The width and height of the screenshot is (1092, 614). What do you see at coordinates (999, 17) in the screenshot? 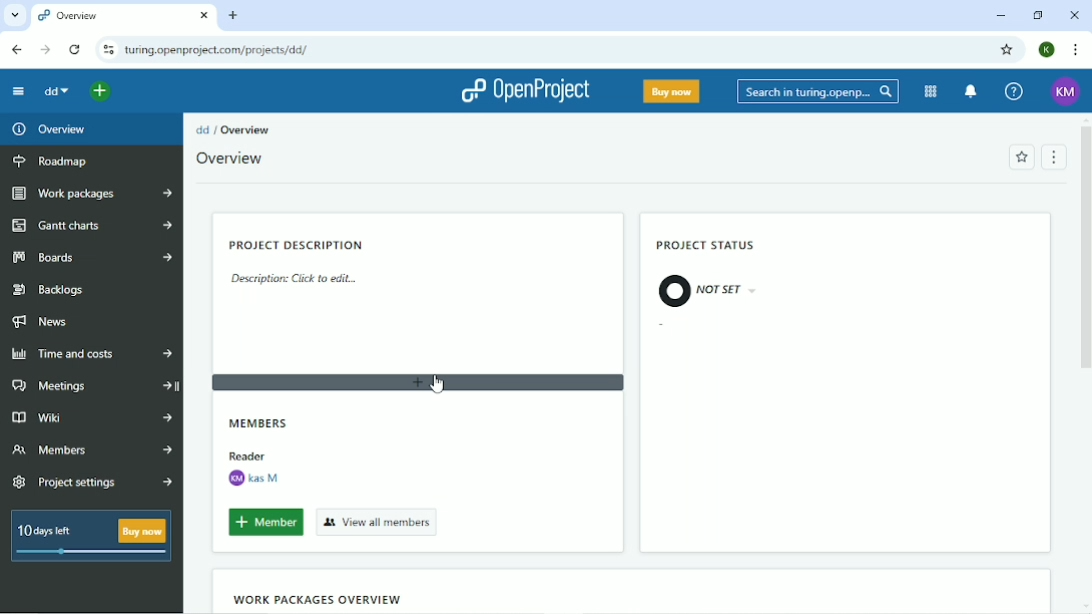
I see `Minimize` at bounding box center [999, 17].